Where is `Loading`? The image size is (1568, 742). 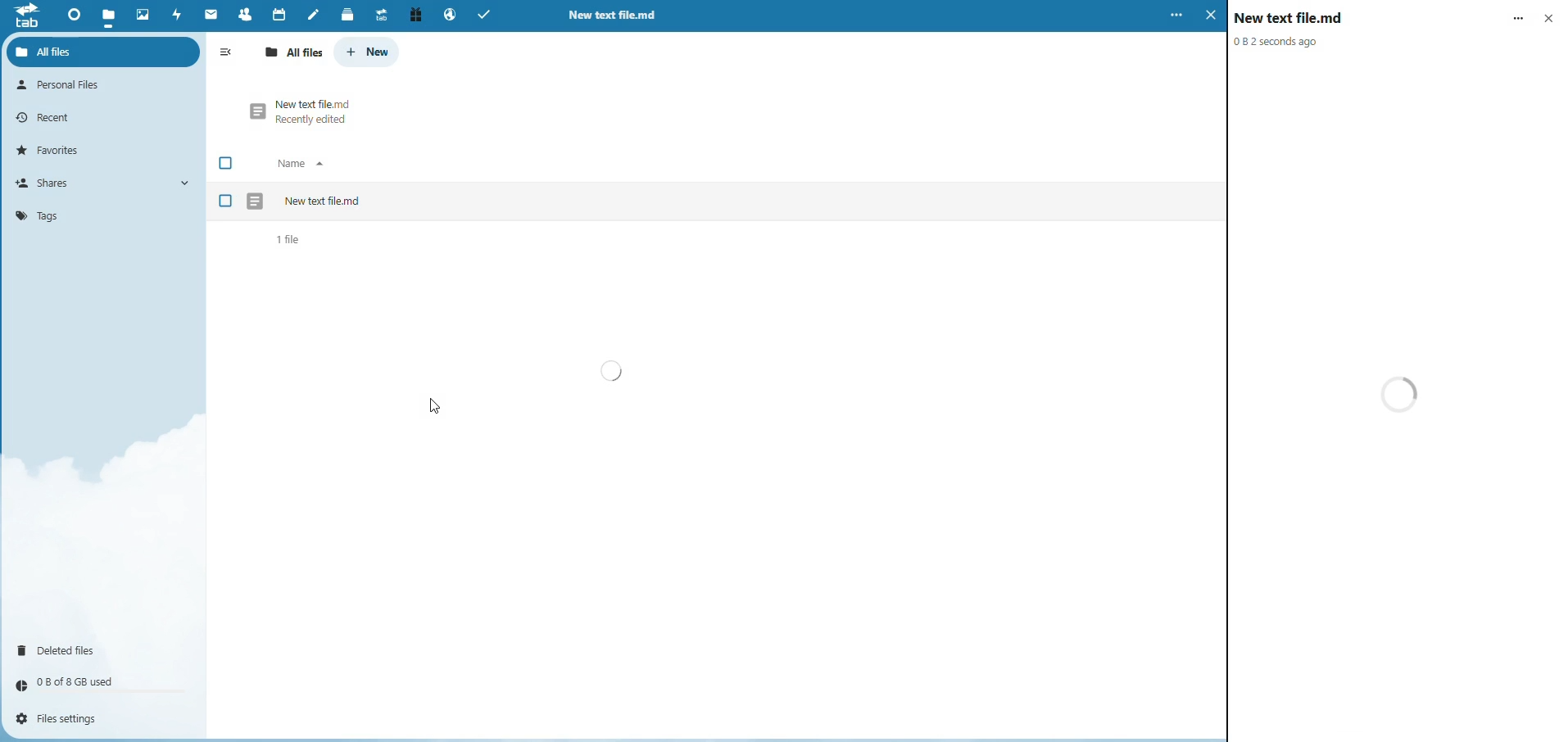 Loading is located at coordinates (614, 371).